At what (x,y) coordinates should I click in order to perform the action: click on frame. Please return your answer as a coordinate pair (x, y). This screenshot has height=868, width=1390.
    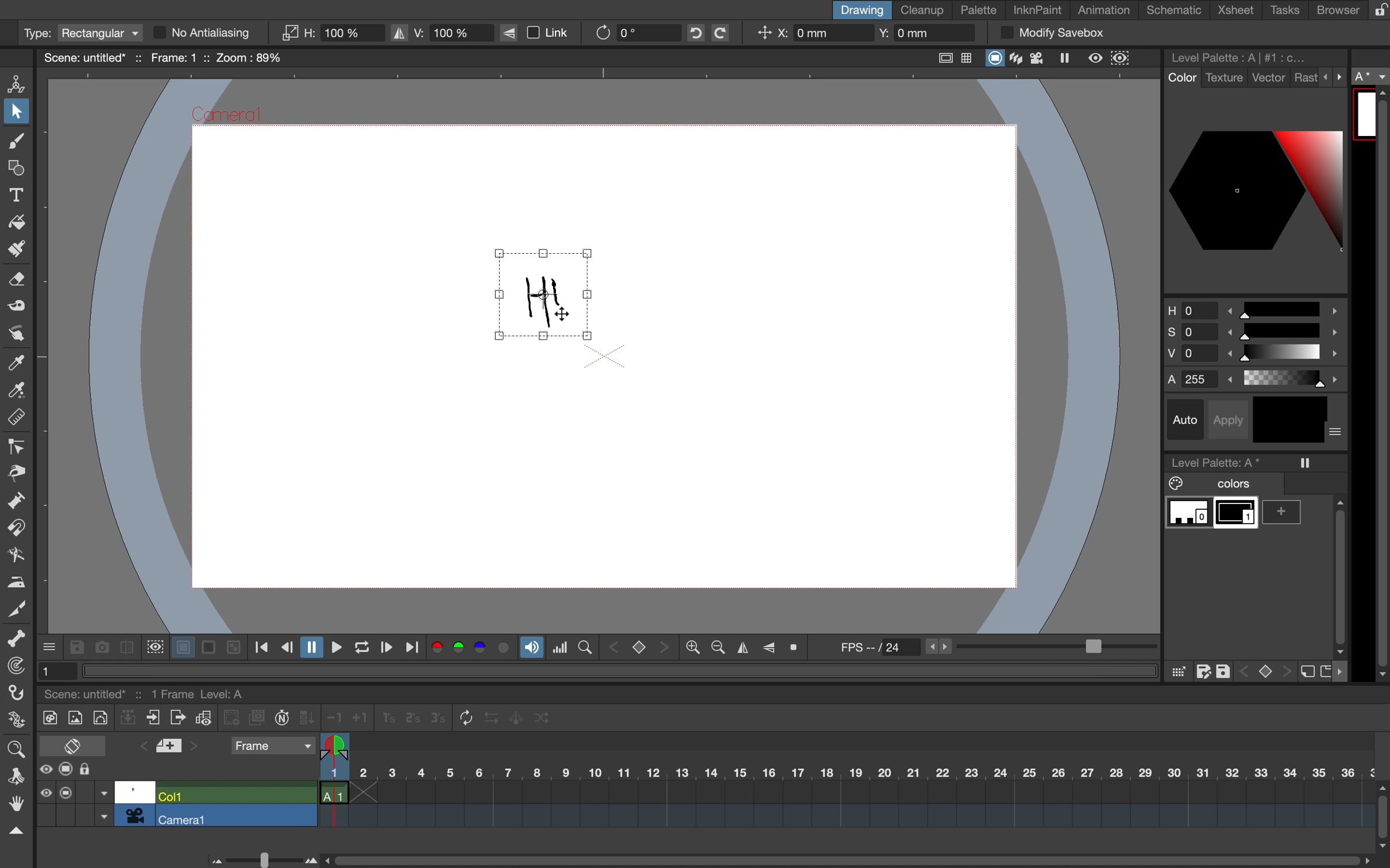
    Looking at the image, I should click on (272, 747).